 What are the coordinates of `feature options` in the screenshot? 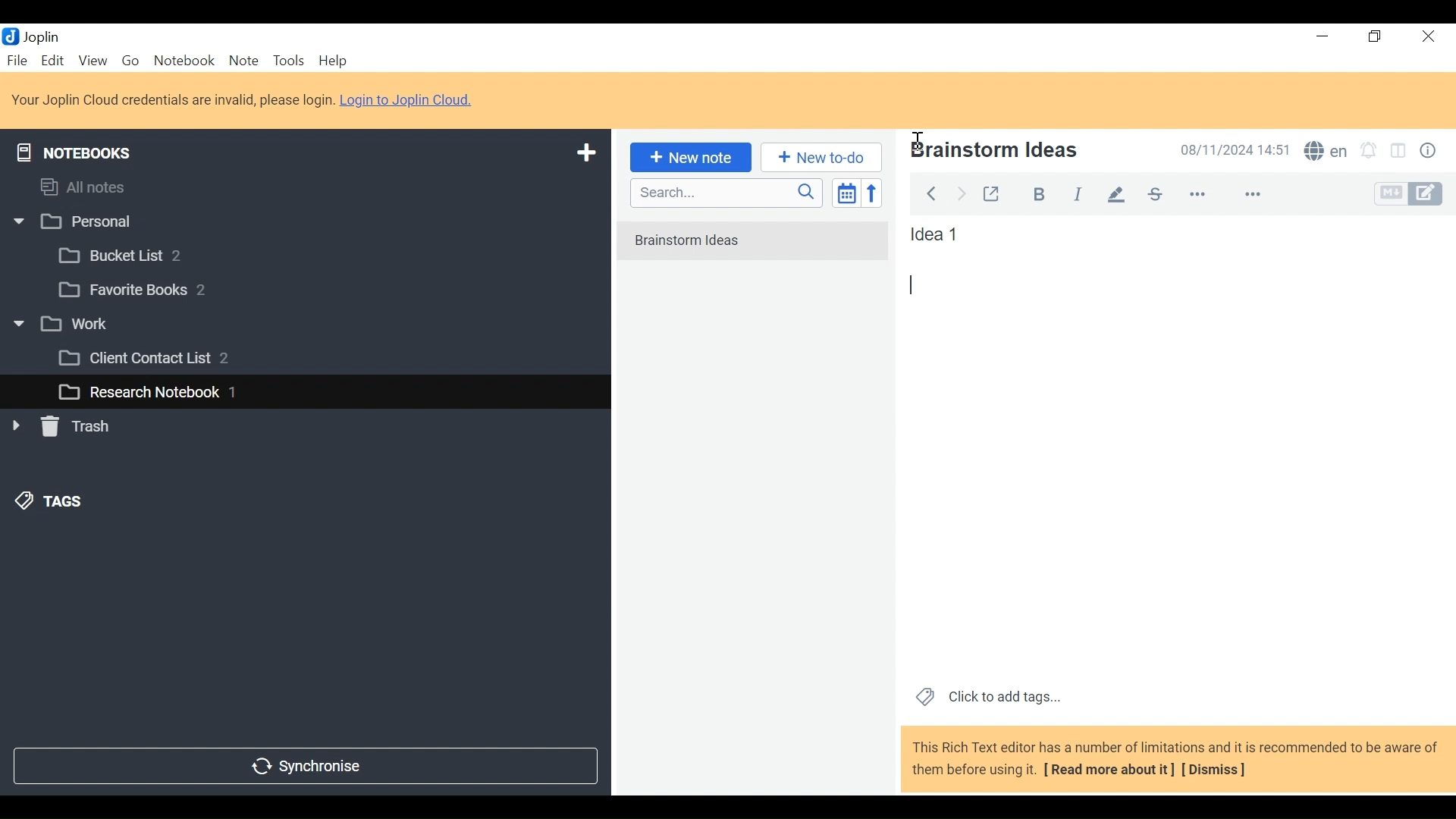 It's located at (1260, 196).